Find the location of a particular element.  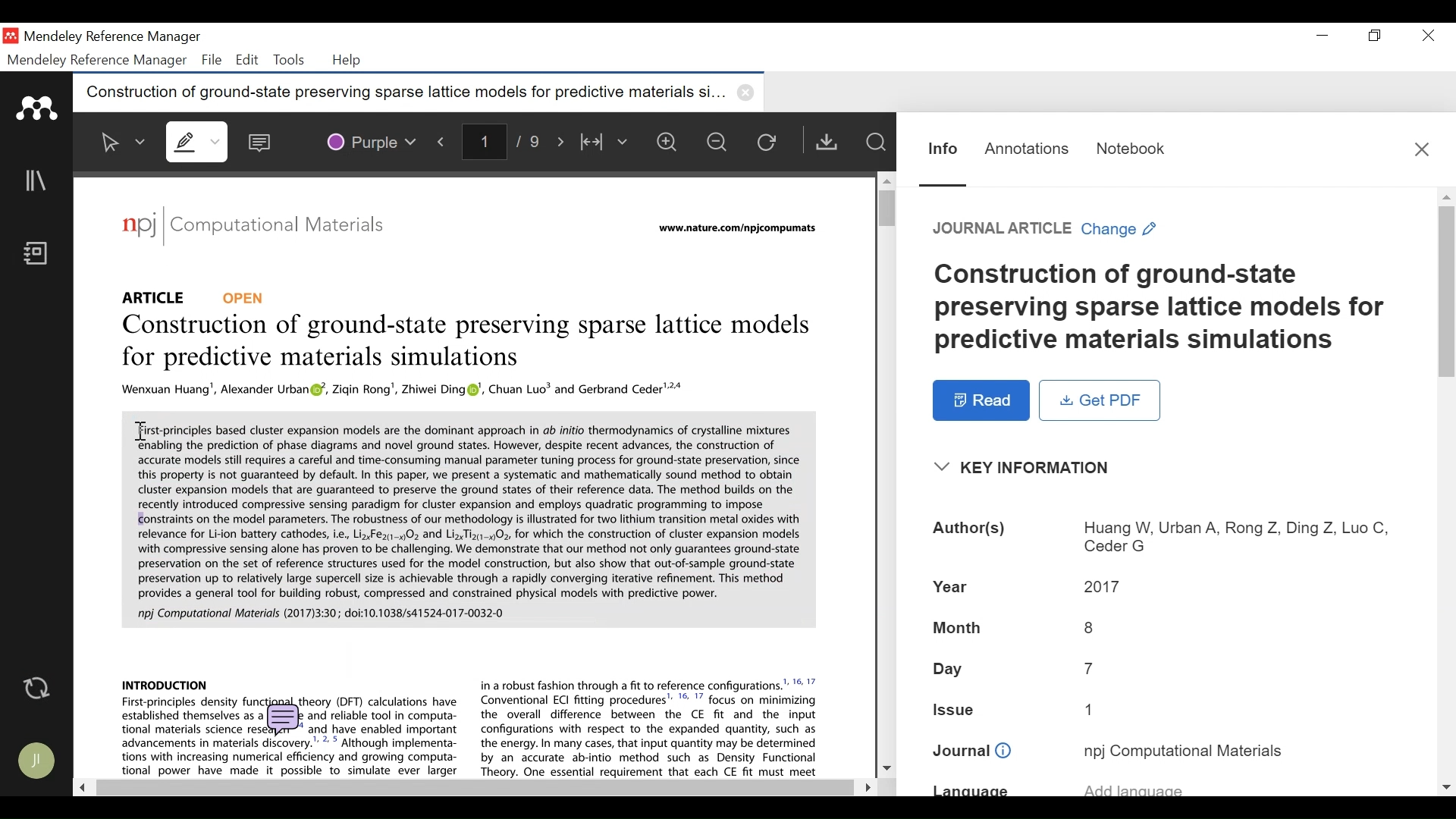

Language is located at coordinates (971, 790).